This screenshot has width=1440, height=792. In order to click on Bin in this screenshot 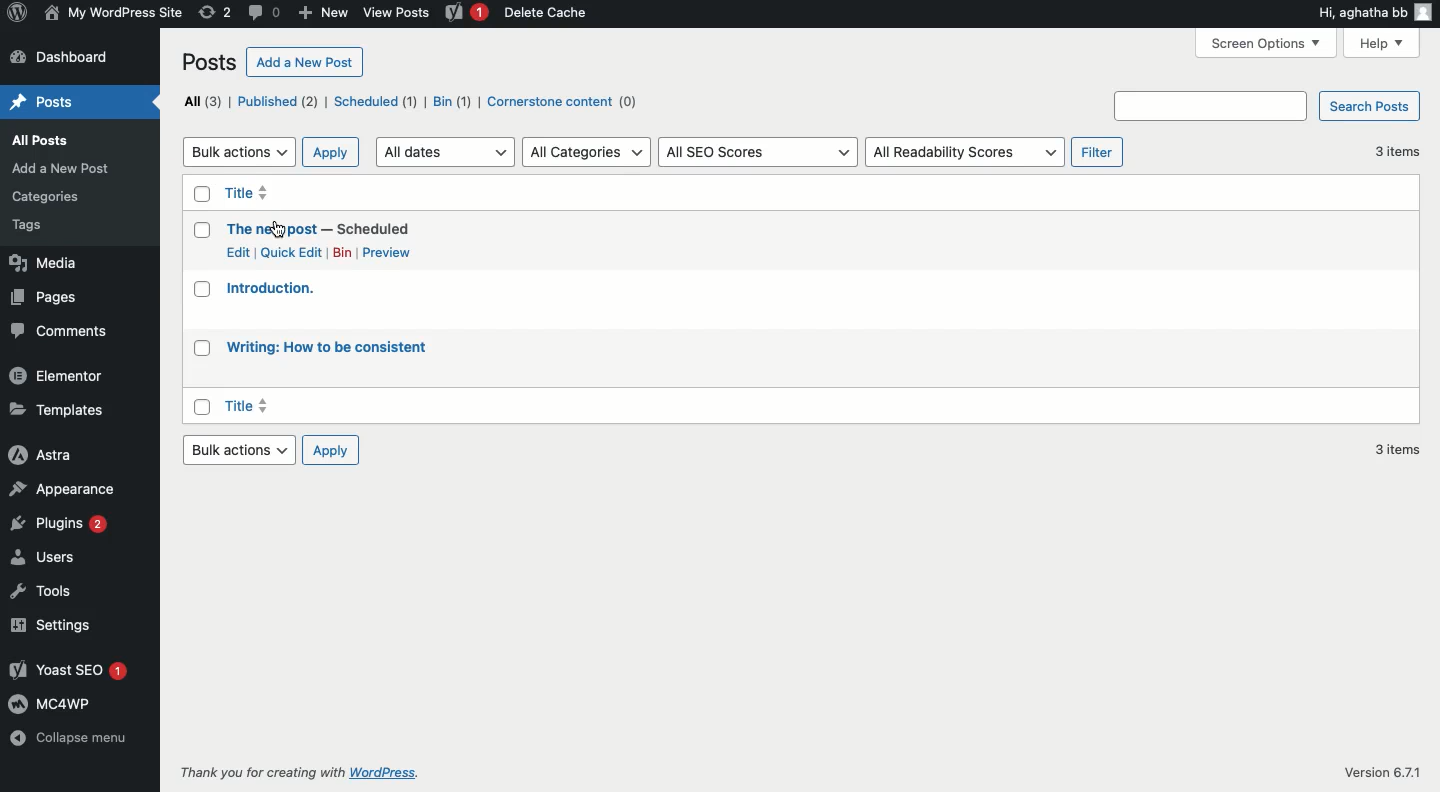, I will do `click(343, 253)`.